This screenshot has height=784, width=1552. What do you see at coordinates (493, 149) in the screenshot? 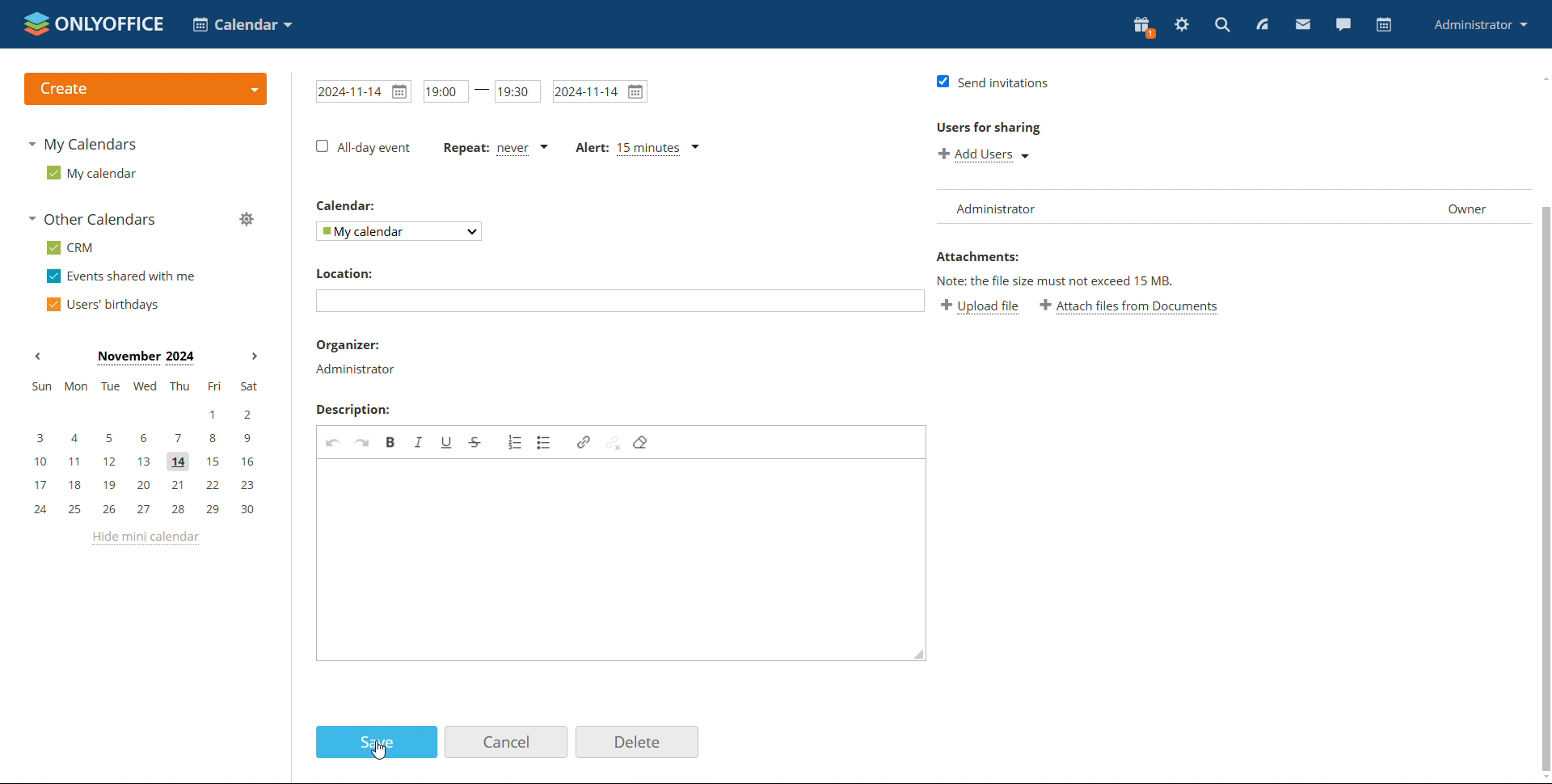
I see `repeat` at bounding box center [493, 149].